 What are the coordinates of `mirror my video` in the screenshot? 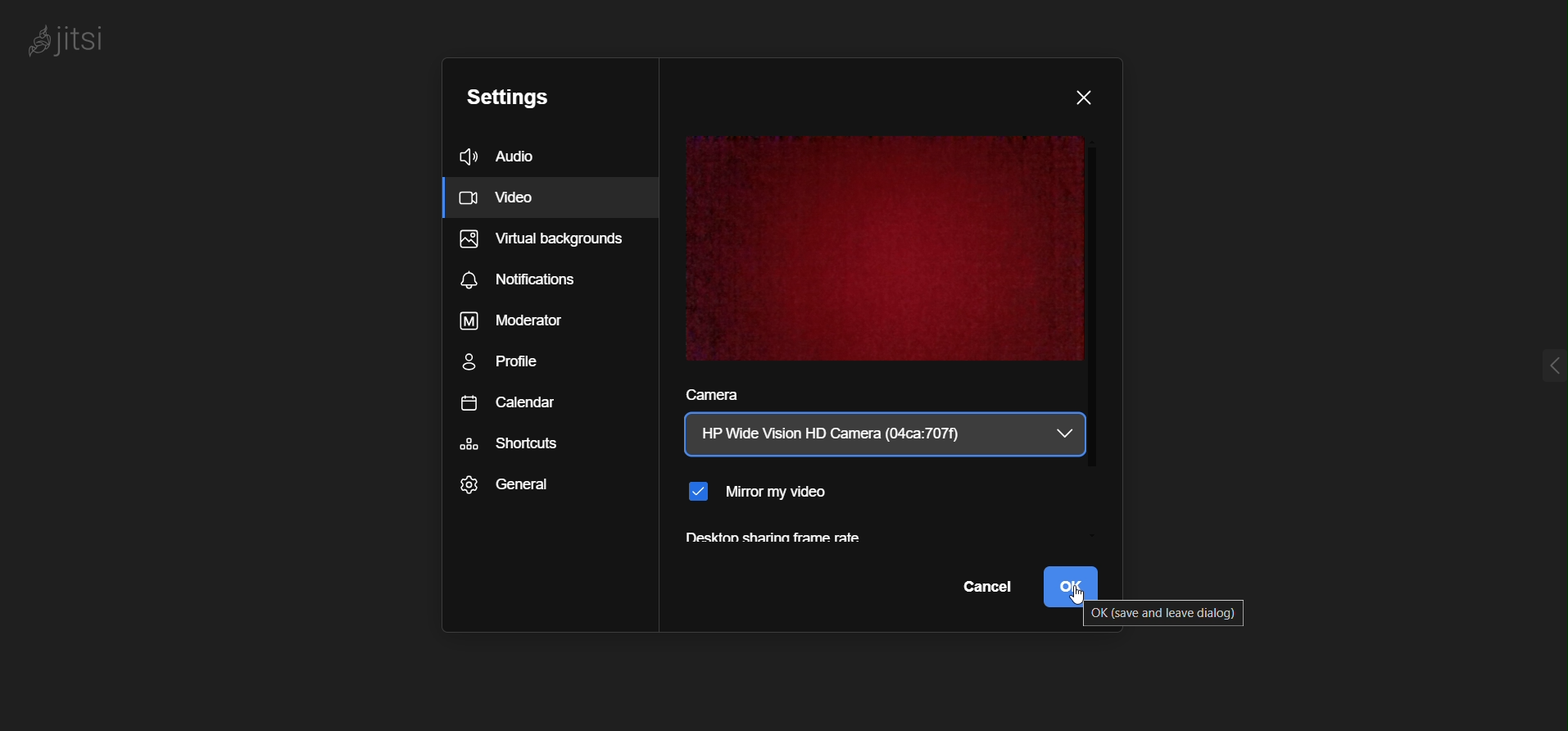 It's located at (758, 497).